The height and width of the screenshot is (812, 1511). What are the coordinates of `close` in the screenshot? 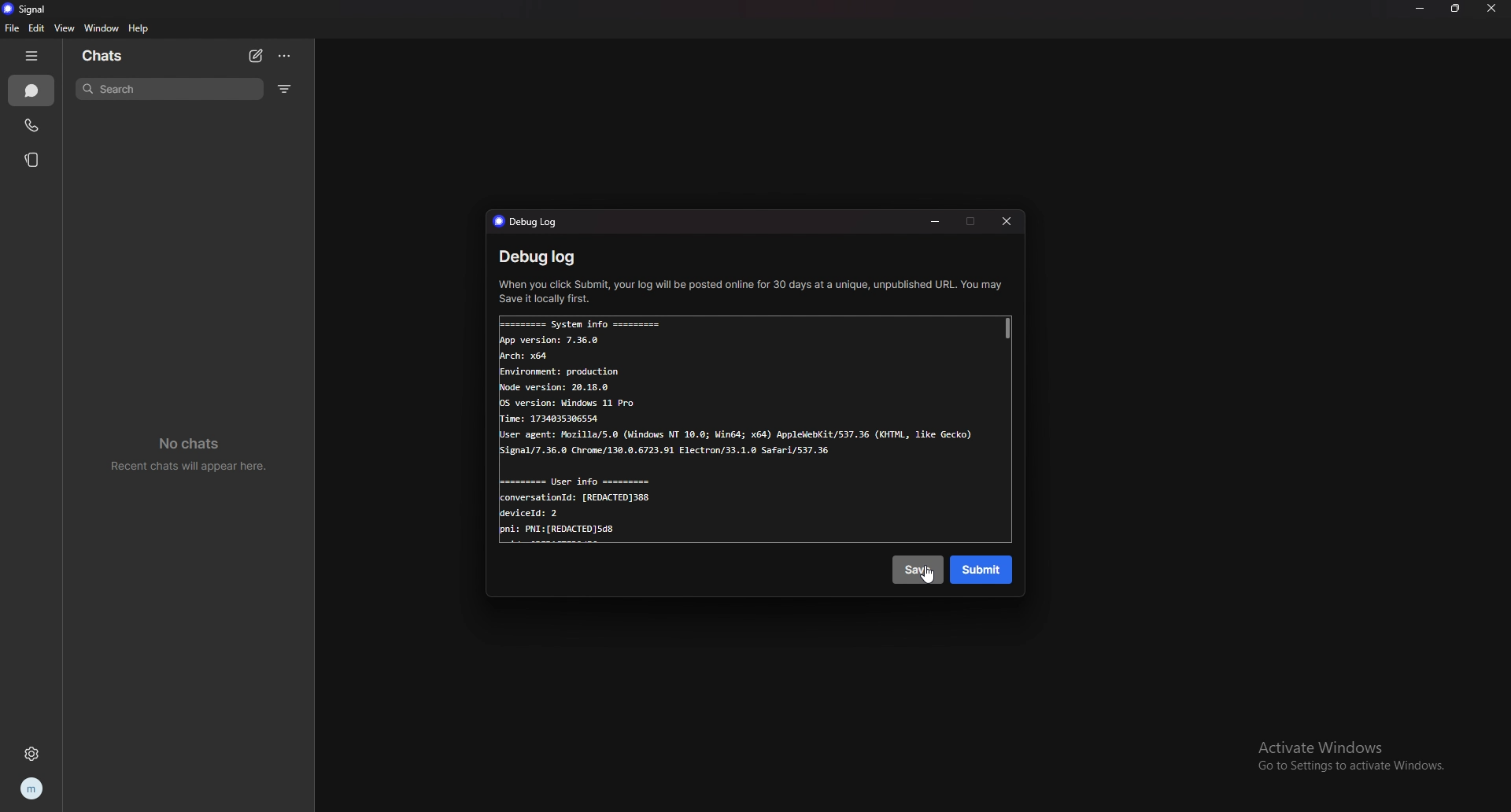 It's located at (1008, 223).